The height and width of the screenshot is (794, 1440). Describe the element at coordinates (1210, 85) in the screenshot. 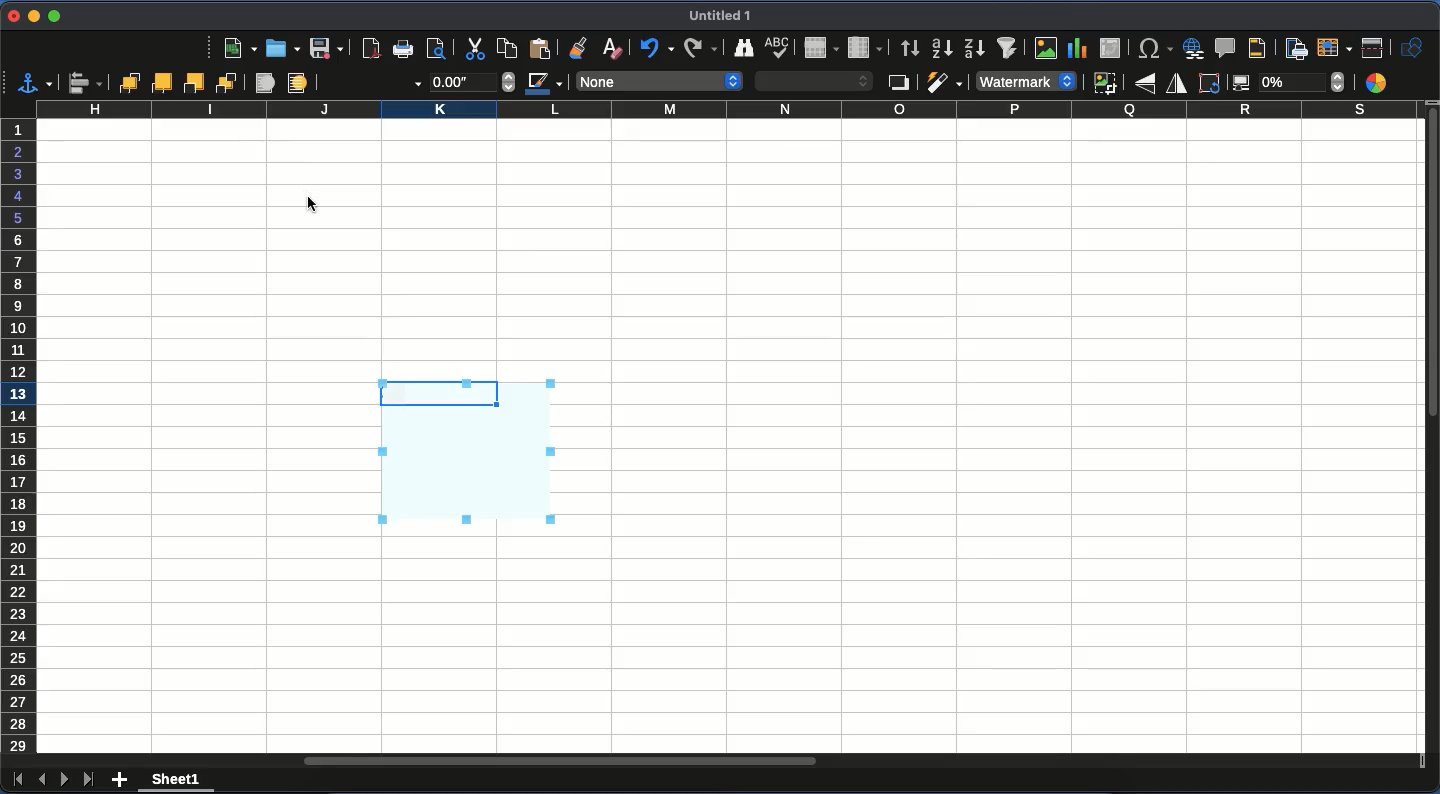

I see `rotate` at that location.